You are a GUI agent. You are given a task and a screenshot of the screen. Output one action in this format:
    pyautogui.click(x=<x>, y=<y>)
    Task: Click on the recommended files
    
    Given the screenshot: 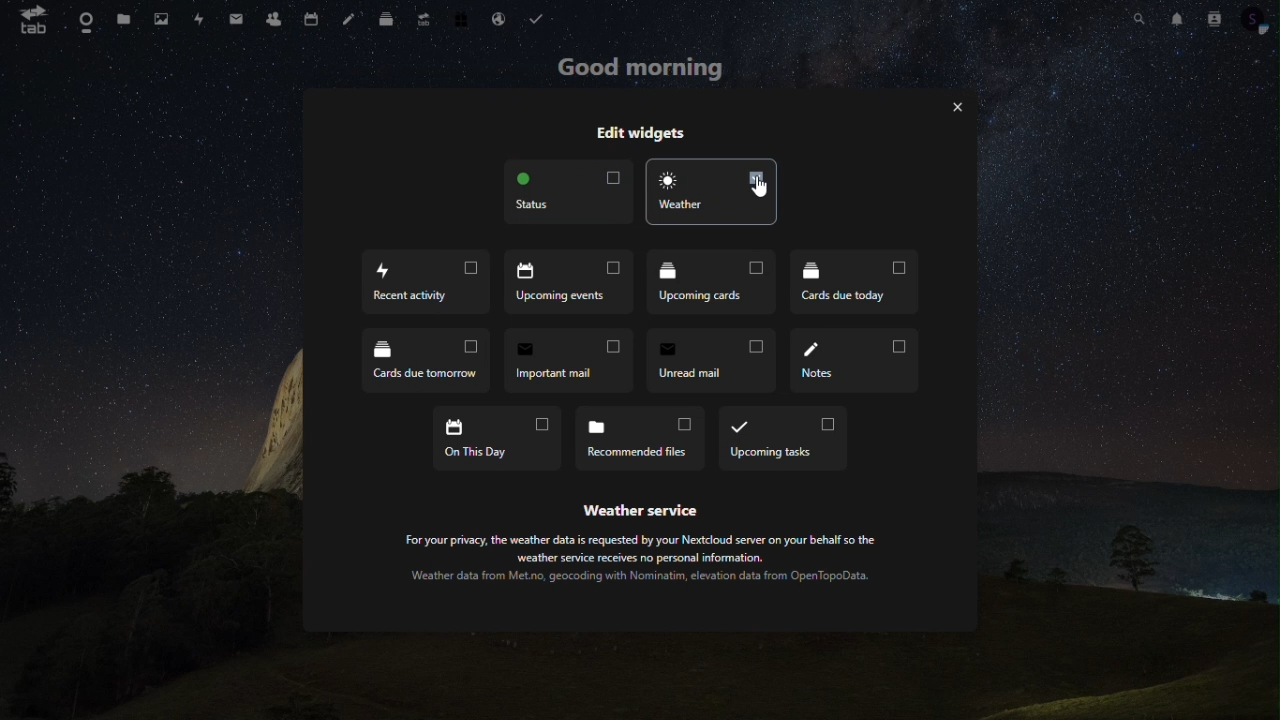 What is the action you would take?
    pyautogui.click(x=644, y=438)
    